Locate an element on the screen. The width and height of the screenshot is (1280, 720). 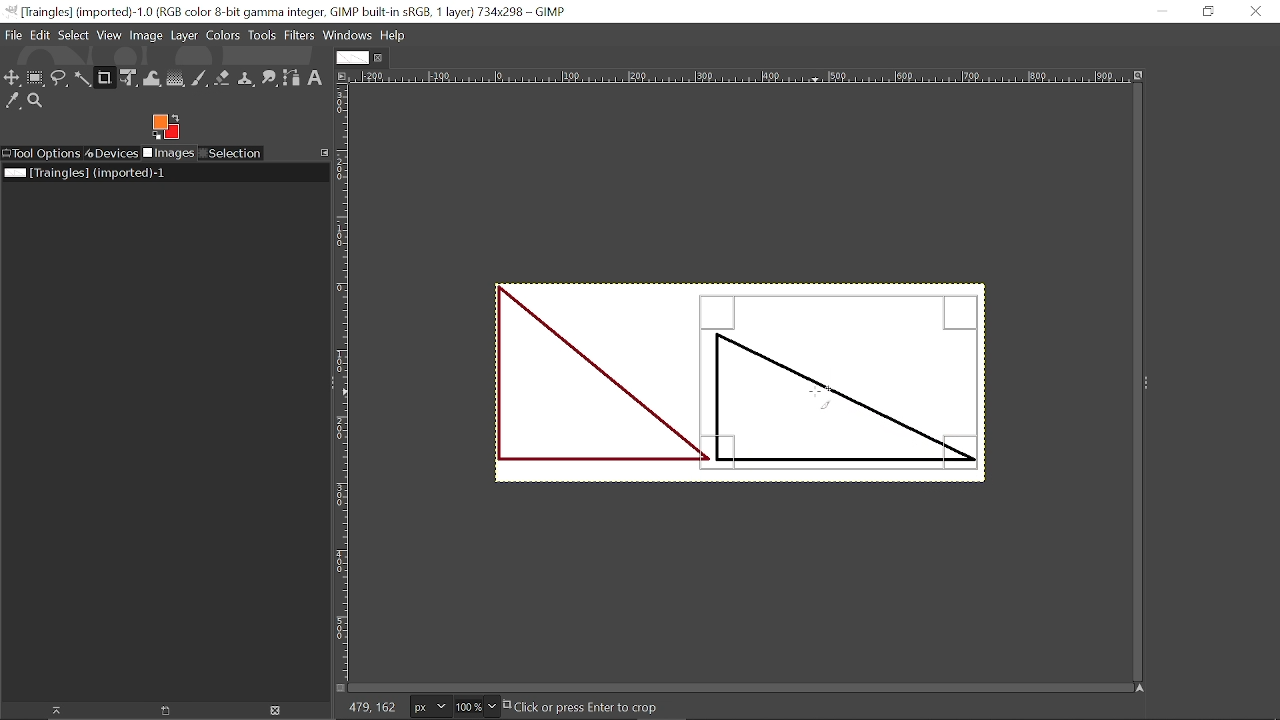
Devices is located at coordinates (112, 153).